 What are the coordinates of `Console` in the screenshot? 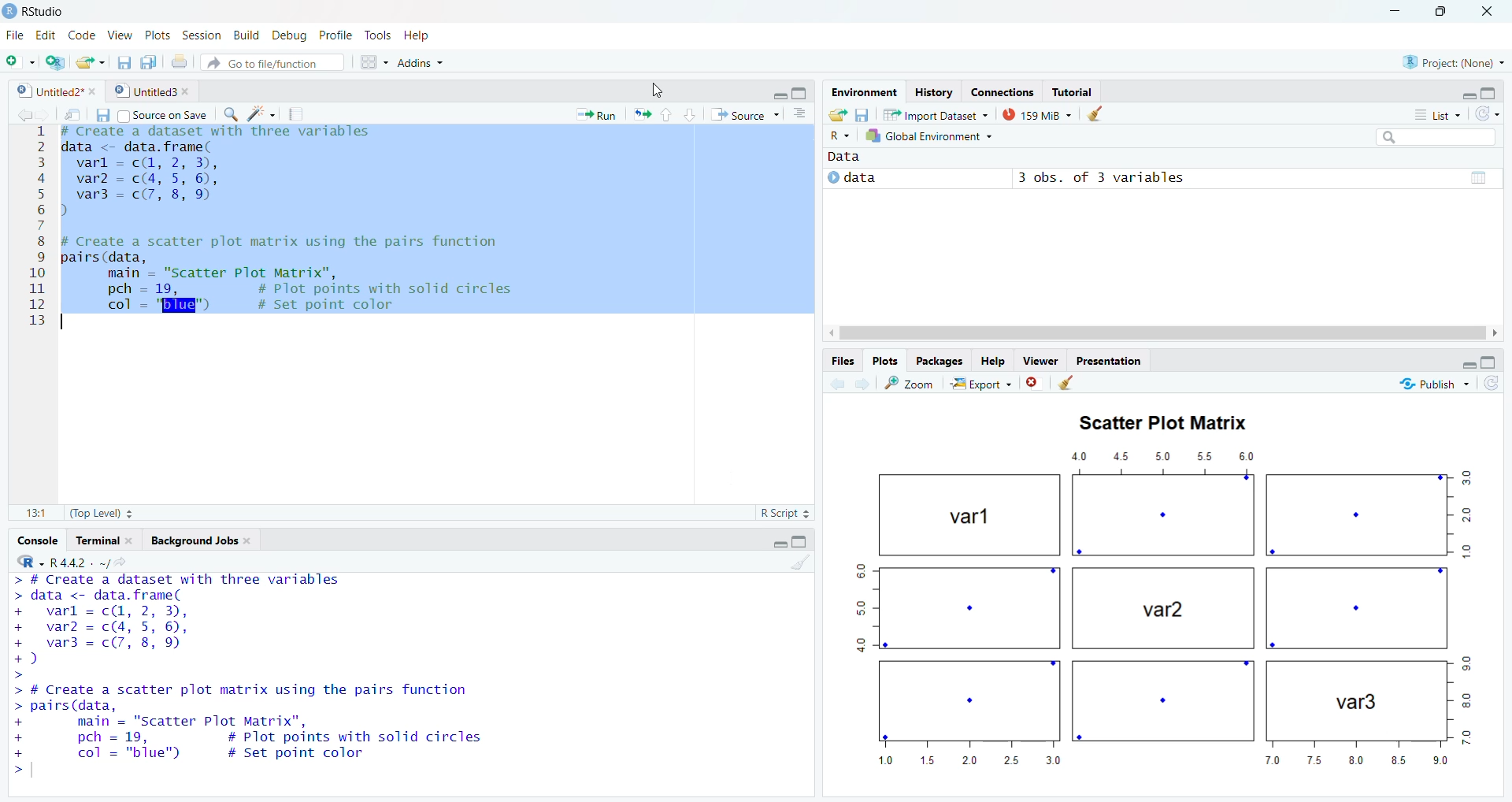 It's located at (41, 537).